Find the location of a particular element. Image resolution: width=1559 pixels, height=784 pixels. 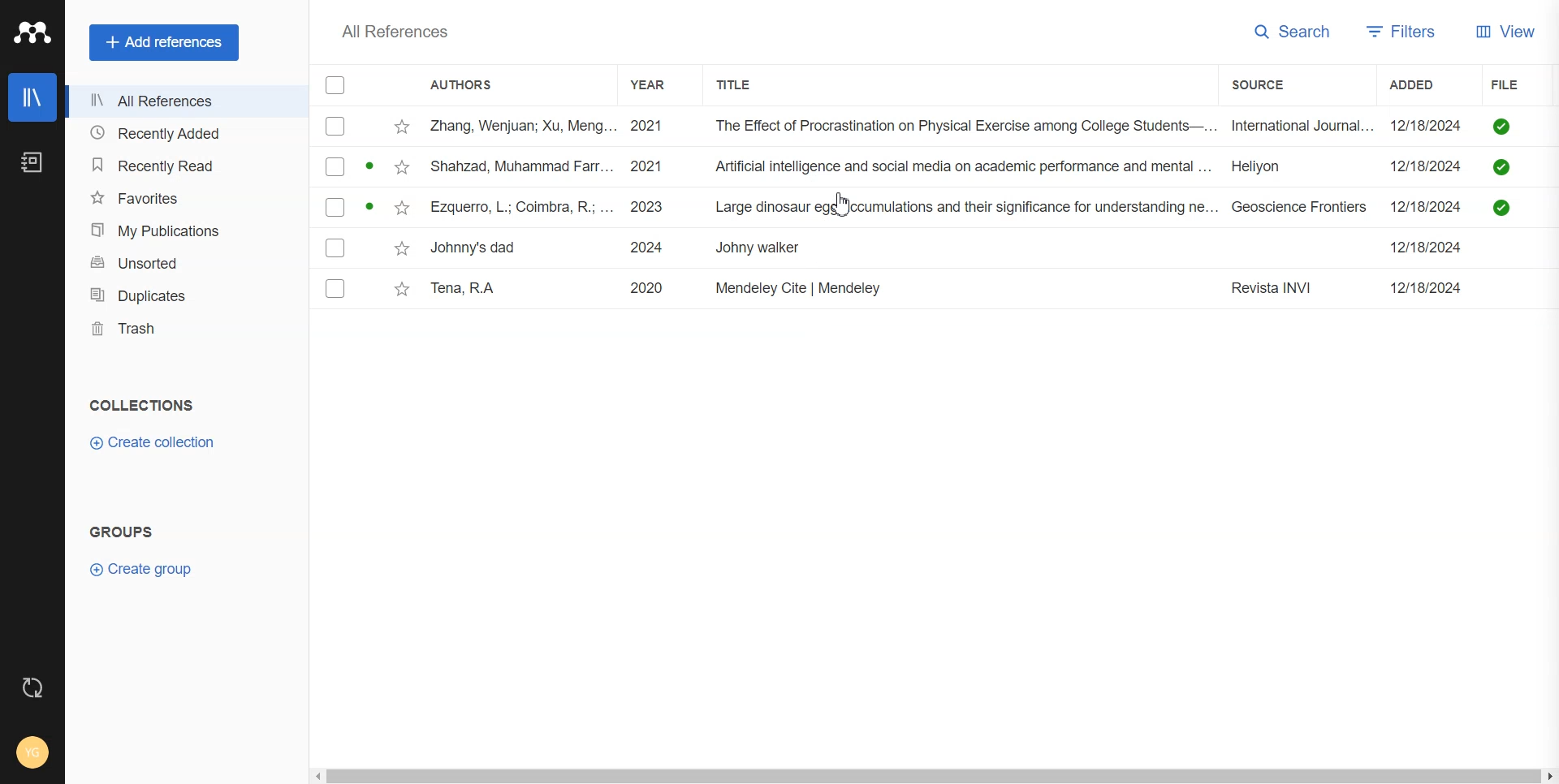

Duplicates is located at coordinates (185, 295).